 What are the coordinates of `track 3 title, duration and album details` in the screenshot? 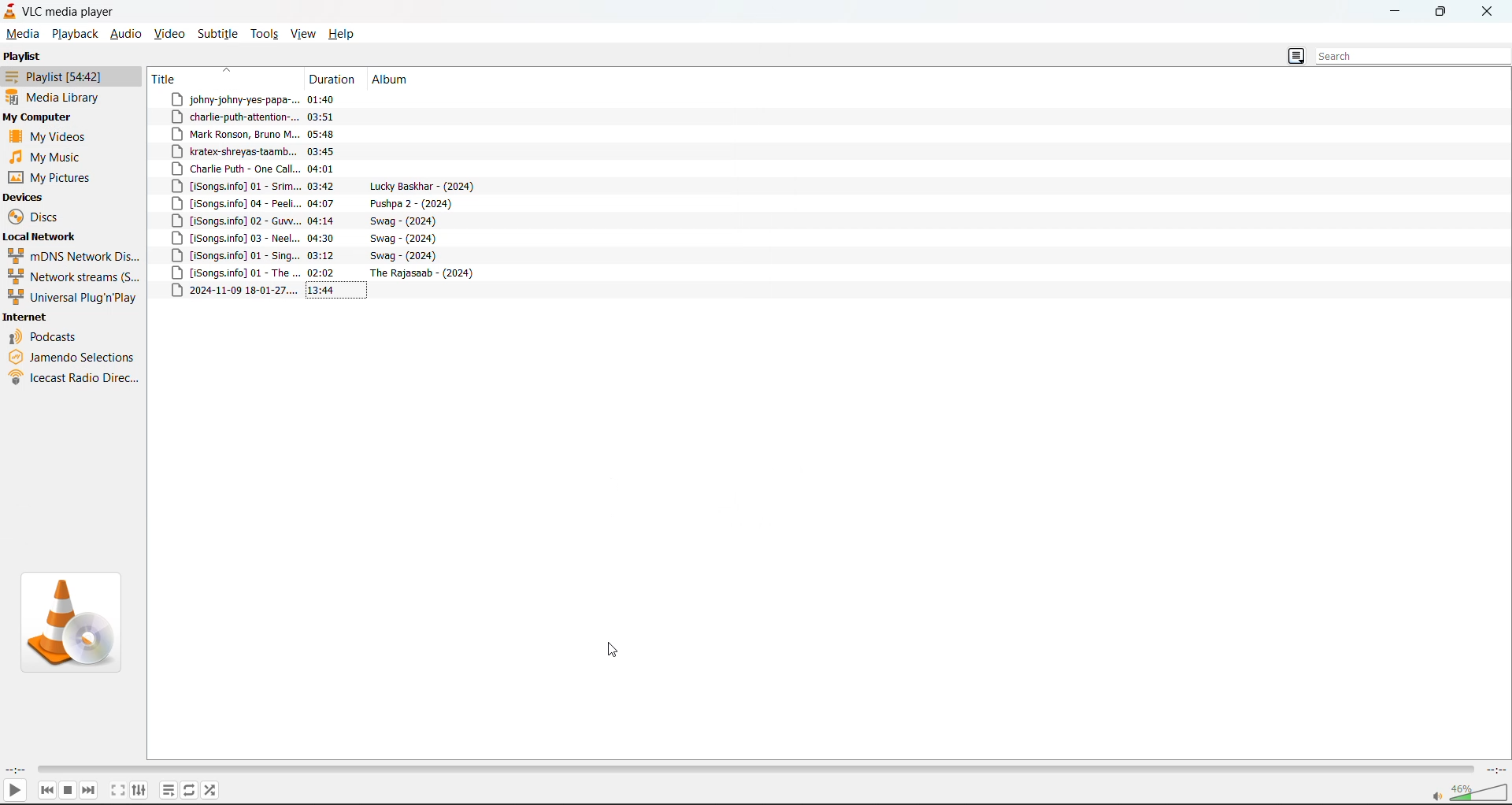 It's located at (289, 151).